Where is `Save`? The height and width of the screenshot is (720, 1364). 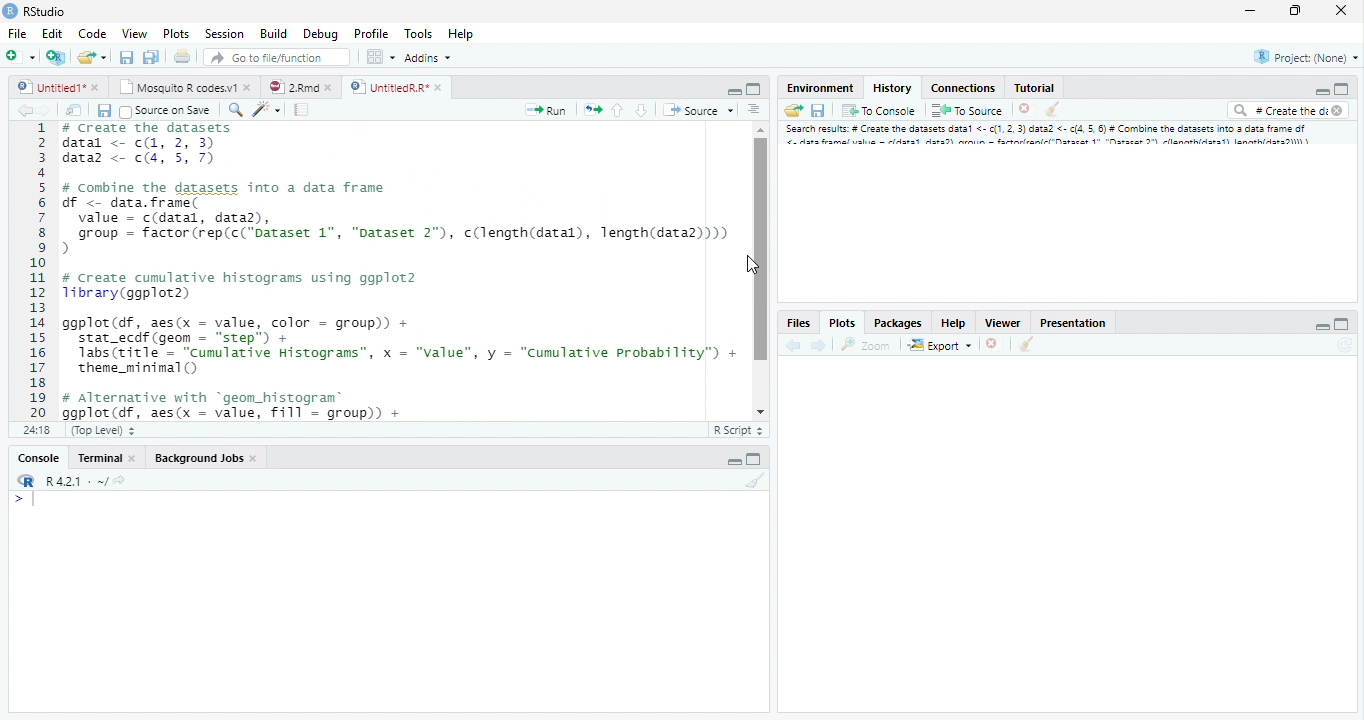 Save is located at coordinates (822, 109).